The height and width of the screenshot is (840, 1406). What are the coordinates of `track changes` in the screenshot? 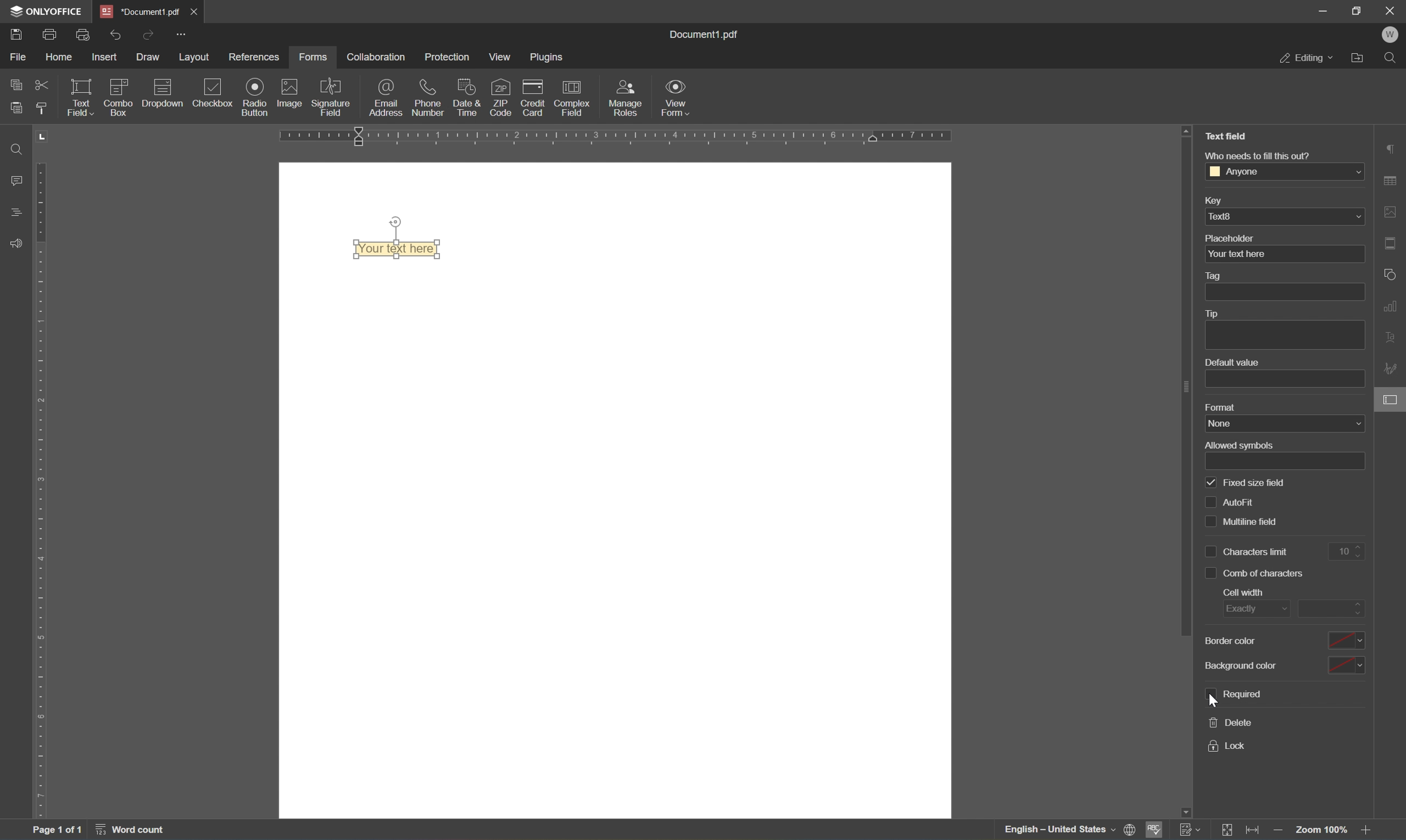 It's located at (1190, 830).